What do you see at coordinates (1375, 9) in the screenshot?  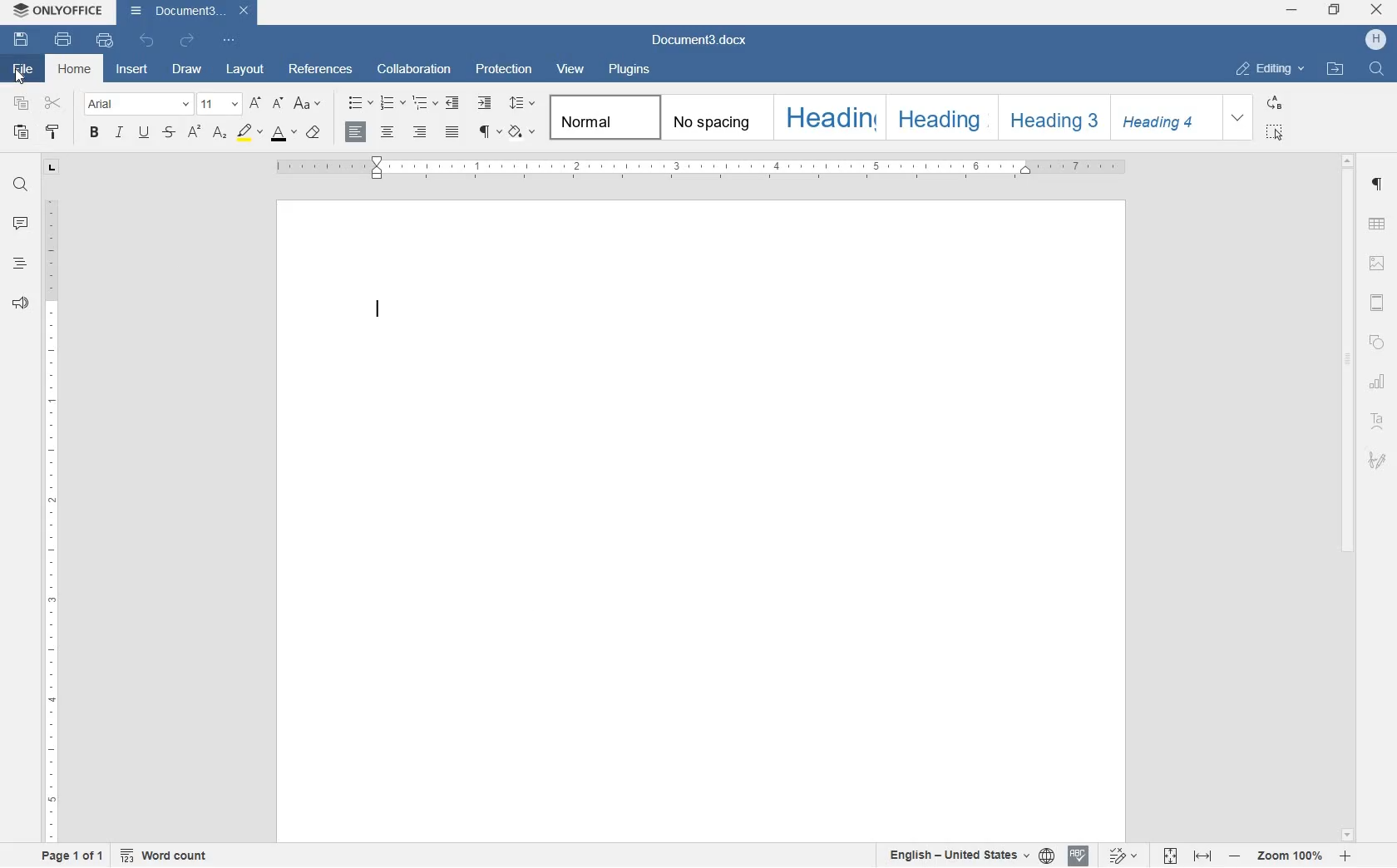 I see `close` at bounding box center [1375, 9].